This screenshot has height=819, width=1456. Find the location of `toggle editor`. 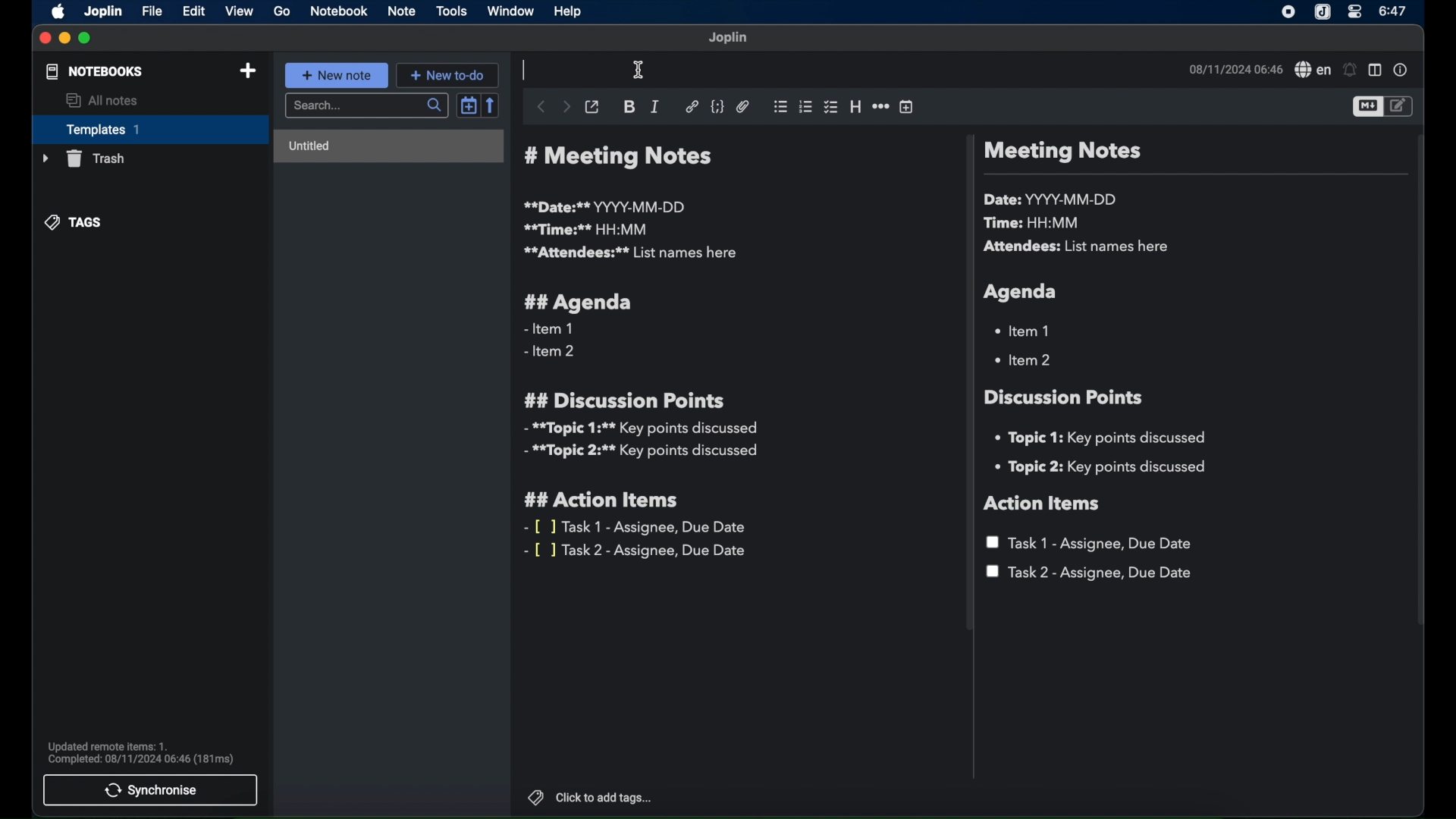

toggle editor is located at coordinates (1365, 108).